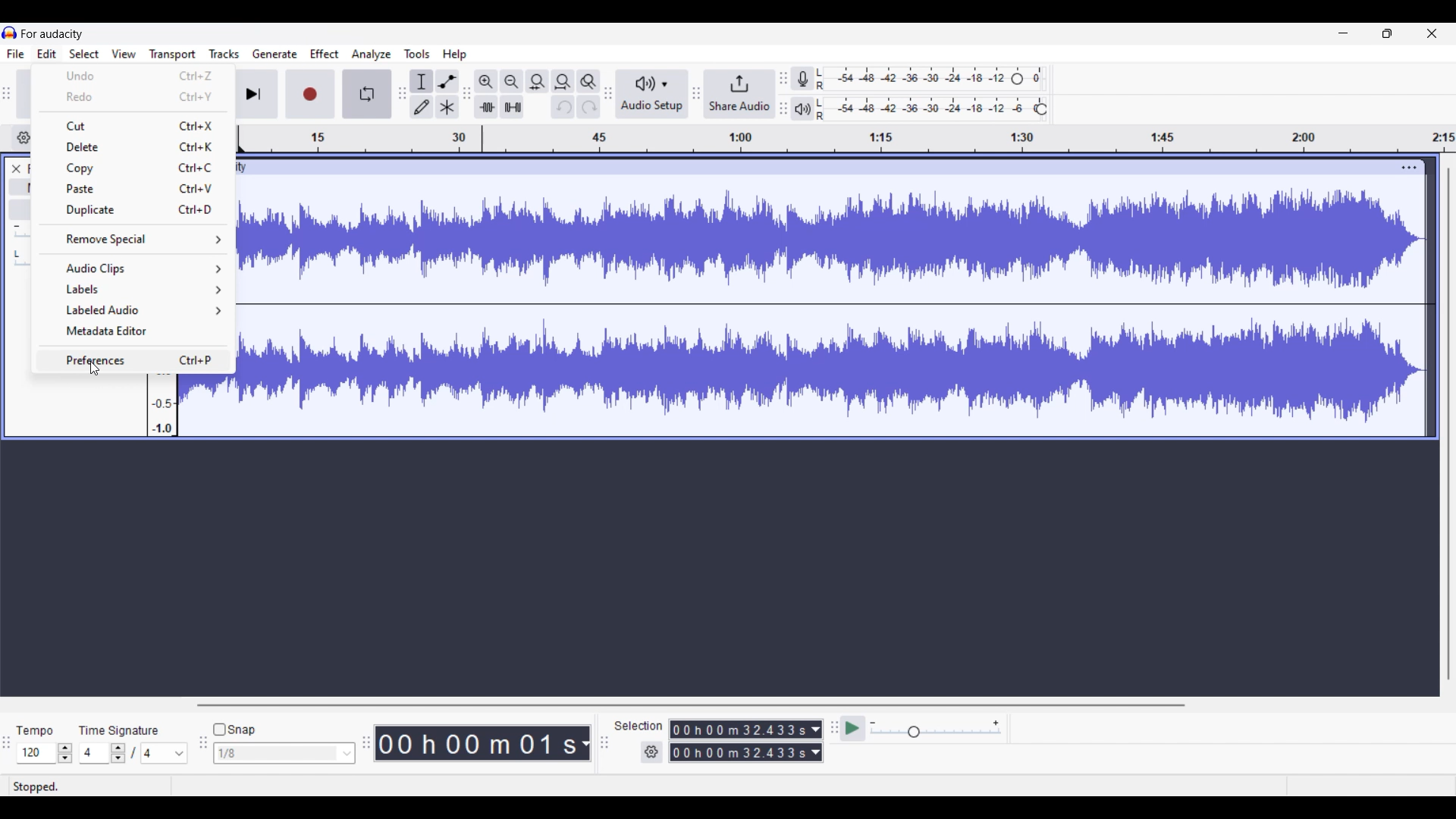  What do you see at coordinates (422, 106) in the screenshot?
I see `Draw tool` at bounding box center [422, 106].